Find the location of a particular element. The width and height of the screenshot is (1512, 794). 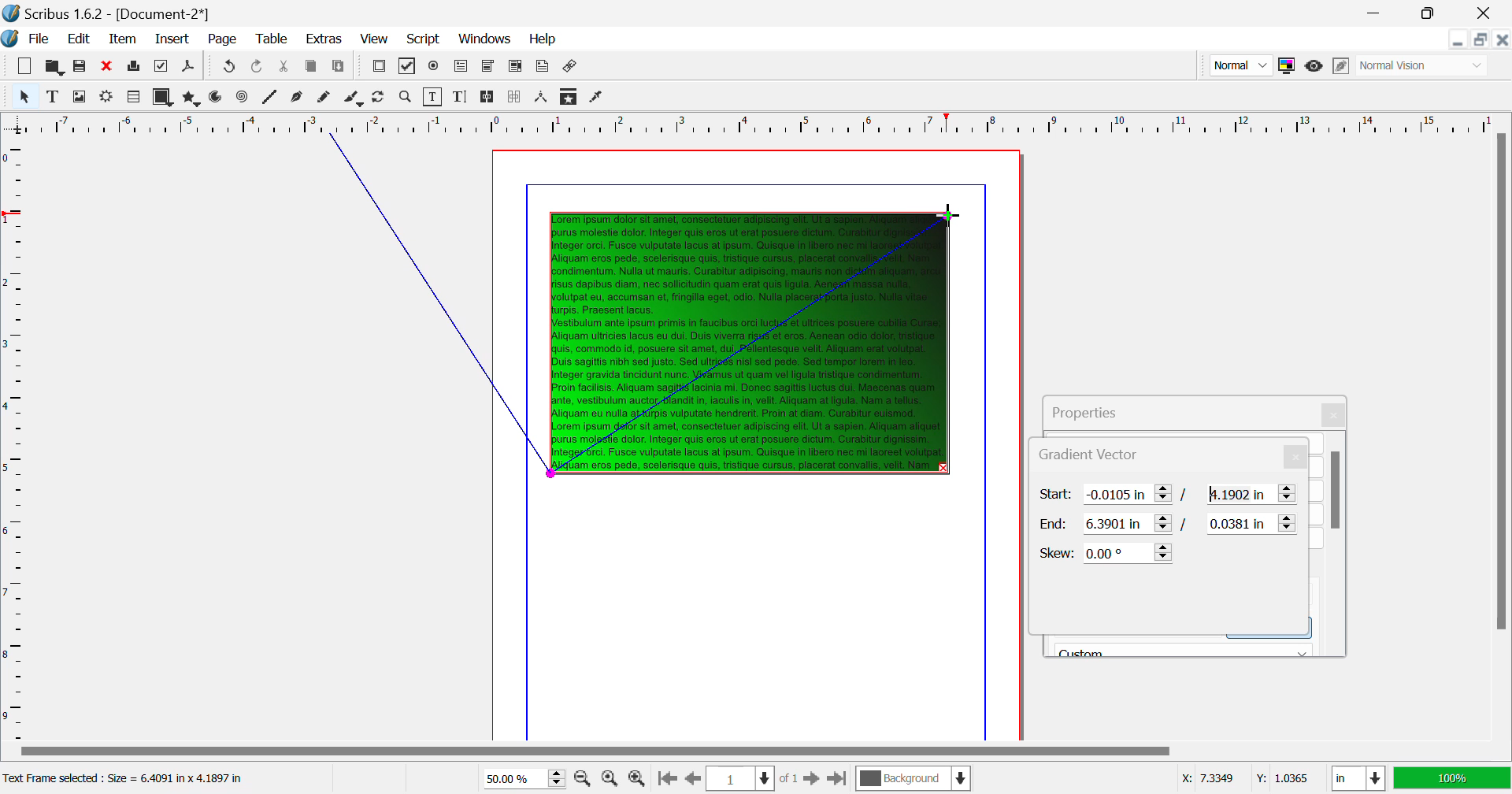

Pdf Push Button is located at coordinates (379, 68).